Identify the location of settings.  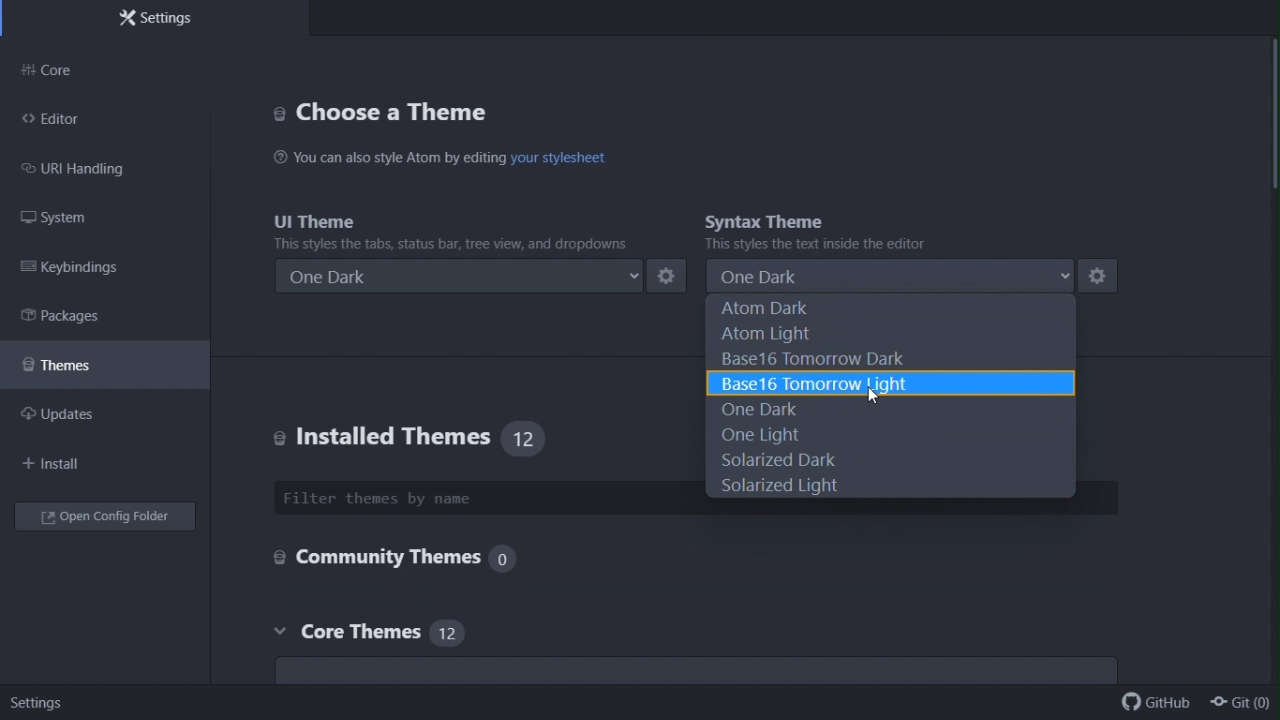
(1096, 278).